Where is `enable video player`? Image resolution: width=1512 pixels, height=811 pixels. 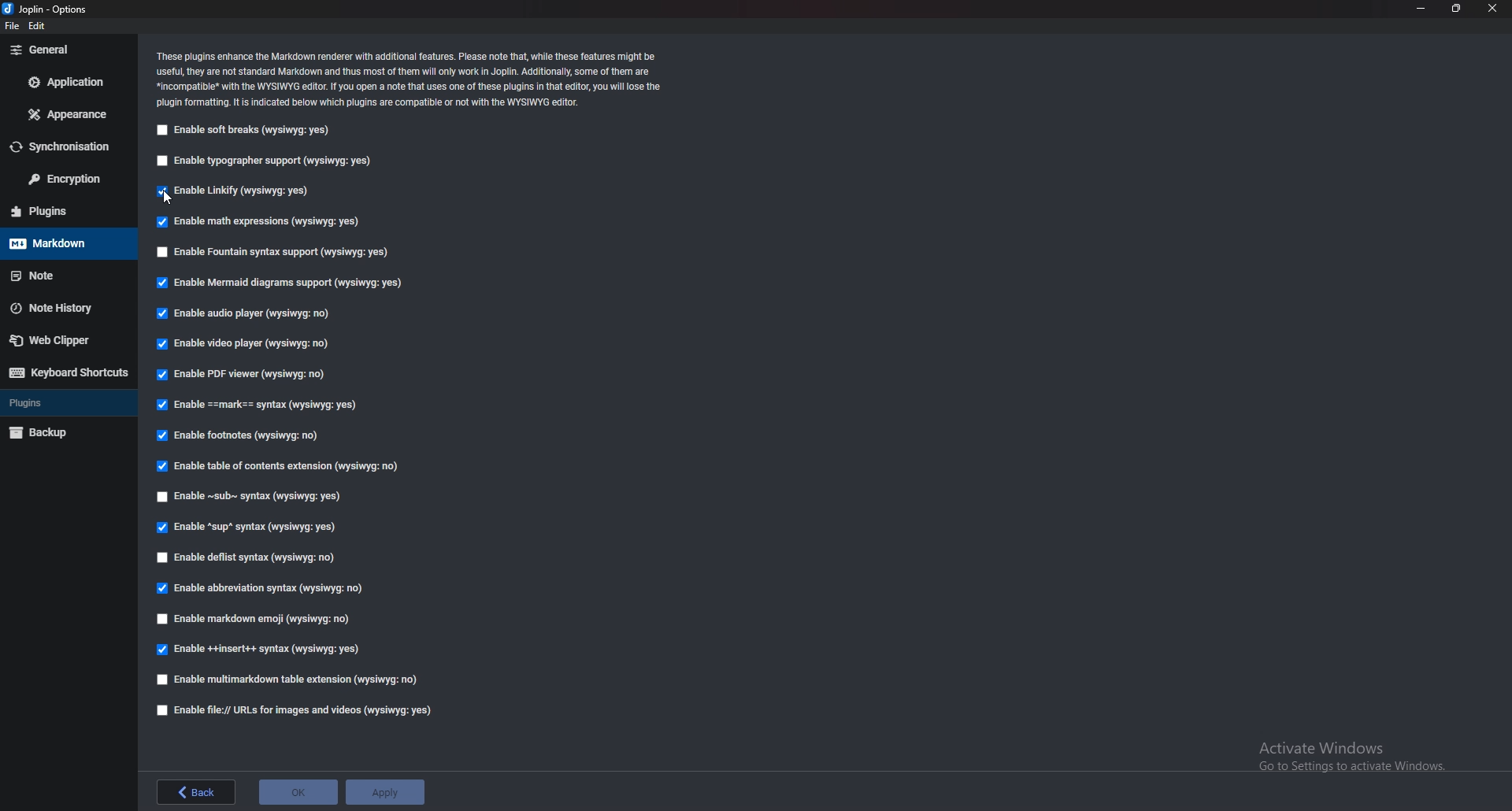
enable video player is located at coordinates (243, 344).